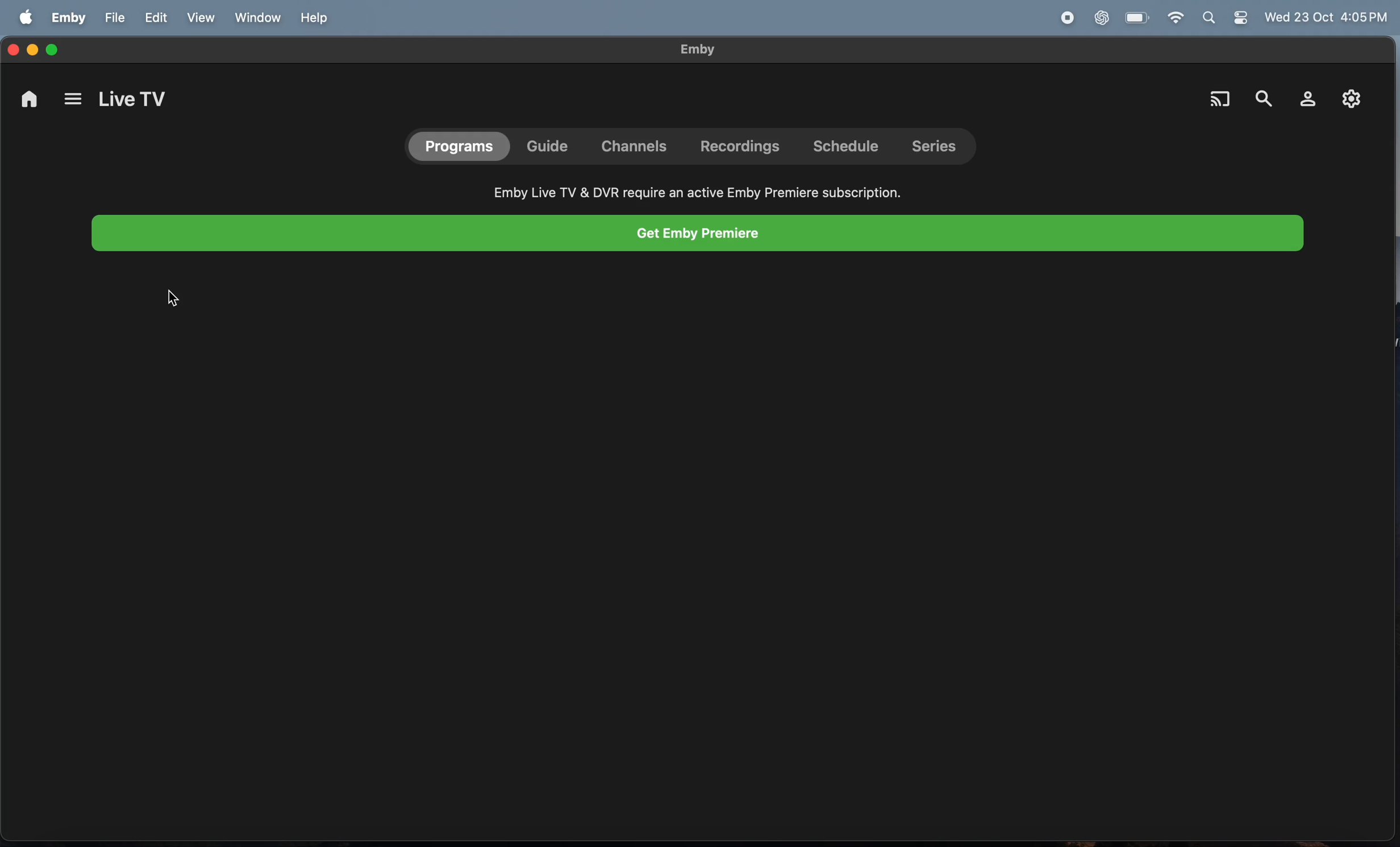  Describe the element at coordinates (155, 18) in the screenshot. I see `edit` at that location.